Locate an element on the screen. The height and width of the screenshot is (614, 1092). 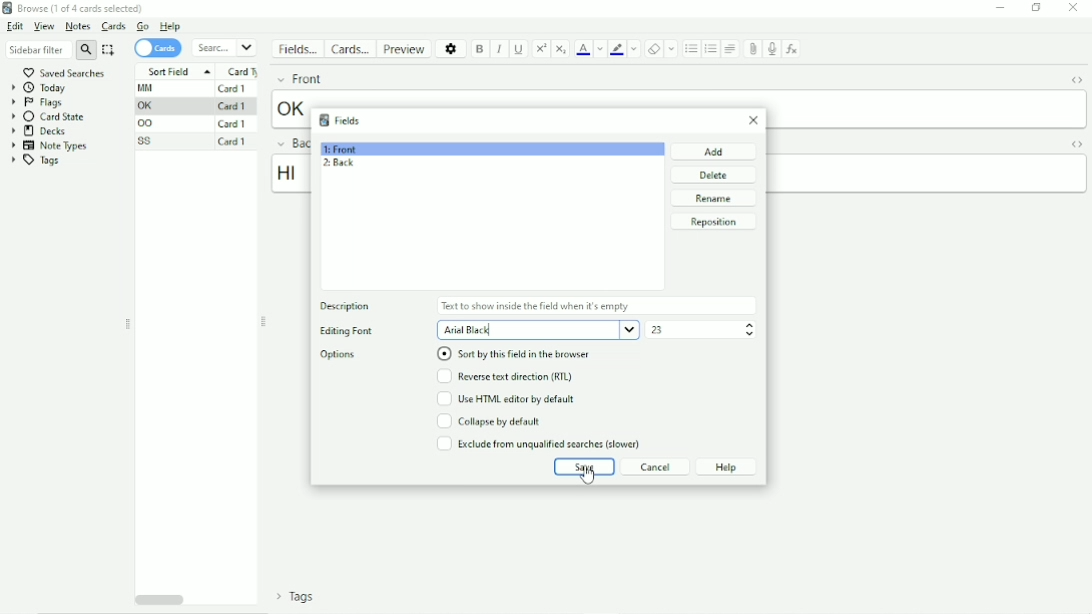
Superscript is located at coordinates (542, 48).